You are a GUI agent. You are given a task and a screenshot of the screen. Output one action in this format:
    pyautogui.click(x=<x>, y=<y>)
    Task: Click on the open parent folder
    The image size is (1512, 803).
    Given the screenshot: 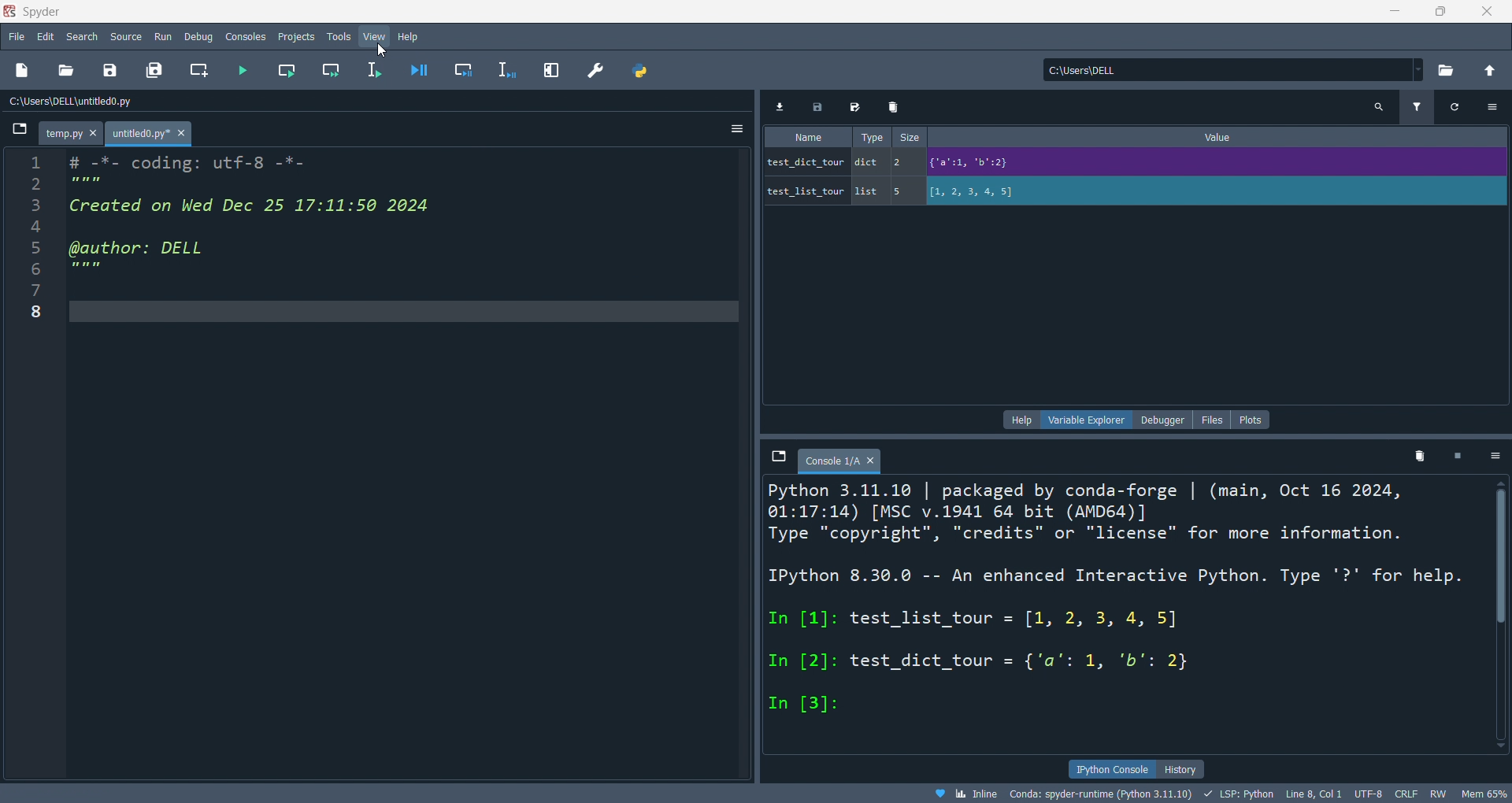 What is the action you would take?
    pyautogui.click(x=1488, y=68)
    